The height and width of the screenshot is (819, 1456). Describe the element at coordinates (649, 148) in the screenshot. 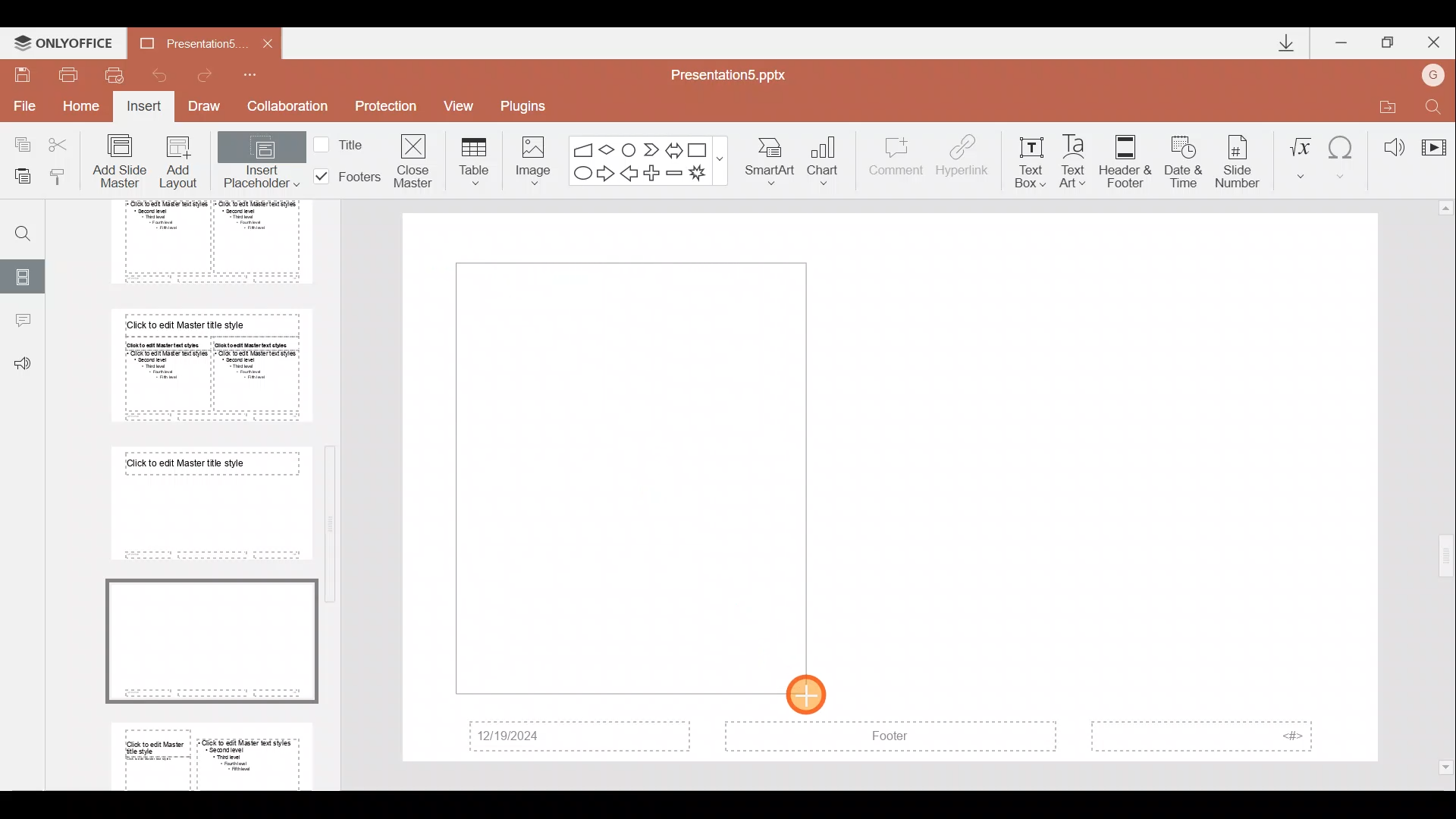

I see `Chevron` at that location.